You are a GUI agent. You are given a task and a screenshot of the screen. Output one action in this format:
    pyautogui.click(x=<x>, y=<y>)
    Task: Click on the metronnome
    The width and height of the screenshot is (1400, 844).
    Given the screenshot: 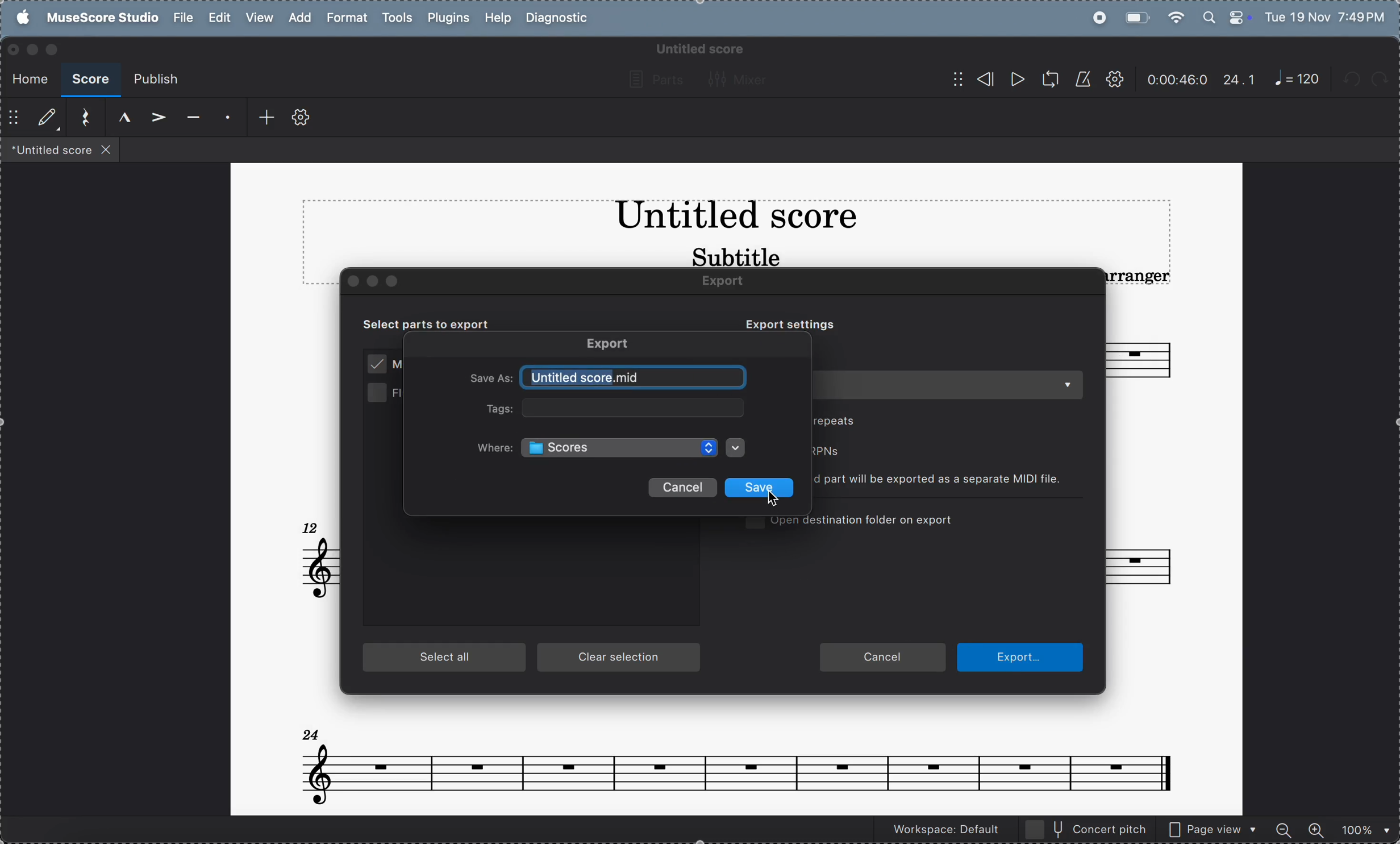 What is the action you would take?
    pyautogui.click(x=1081, y=79)
    